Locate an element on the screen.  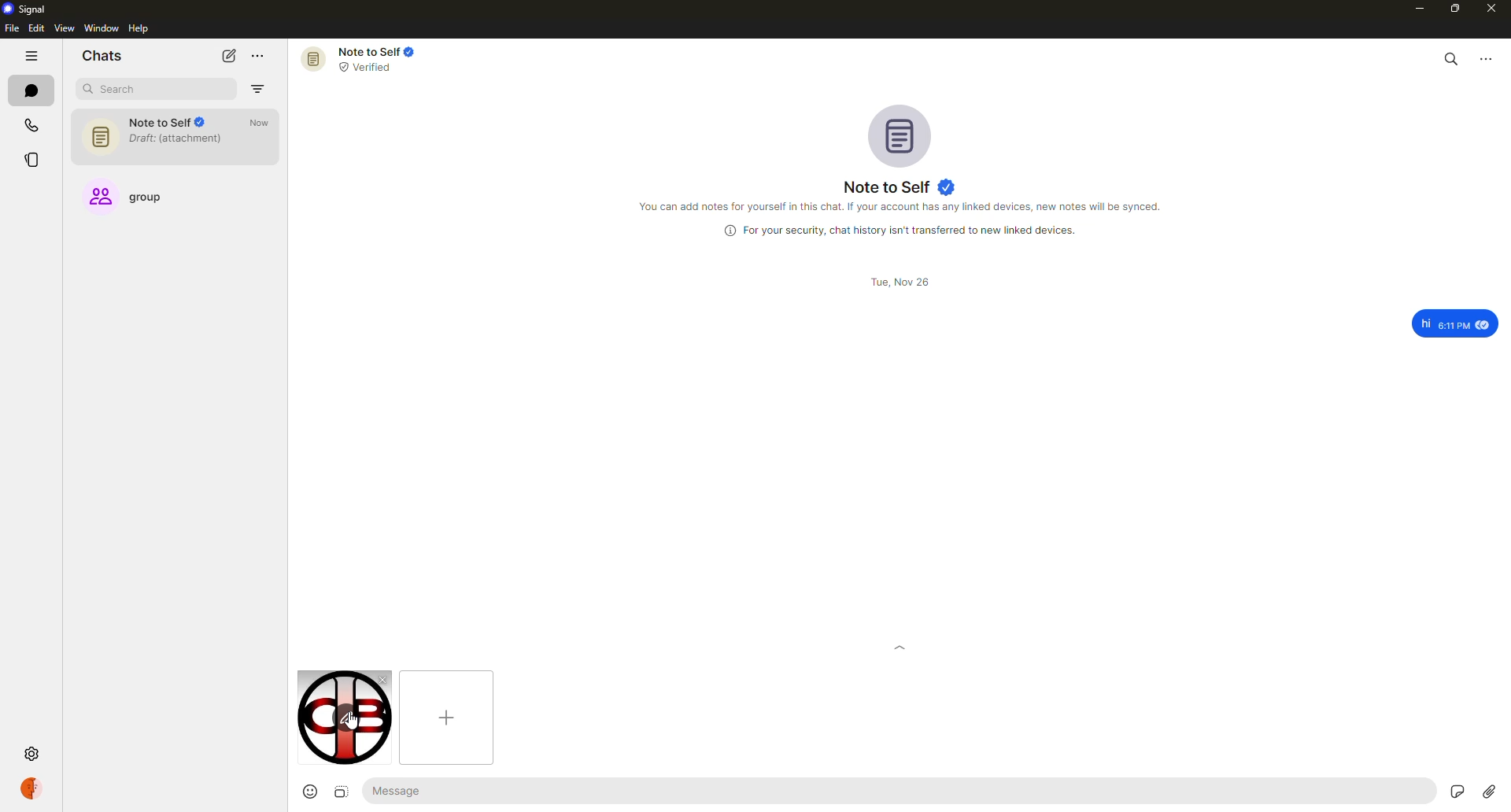
group is located at coordinates (131, 194).